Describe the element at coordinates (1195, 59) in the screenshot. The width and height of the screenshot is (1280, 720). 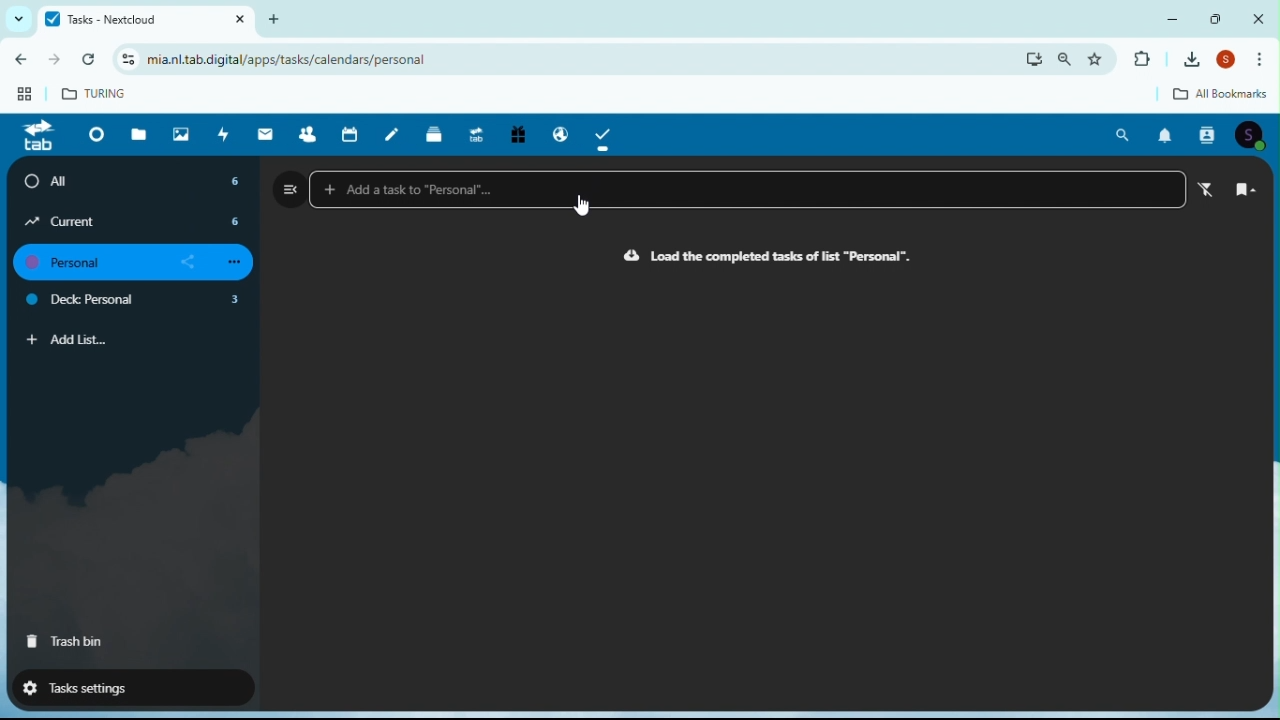
I see `Downloads` at that location.